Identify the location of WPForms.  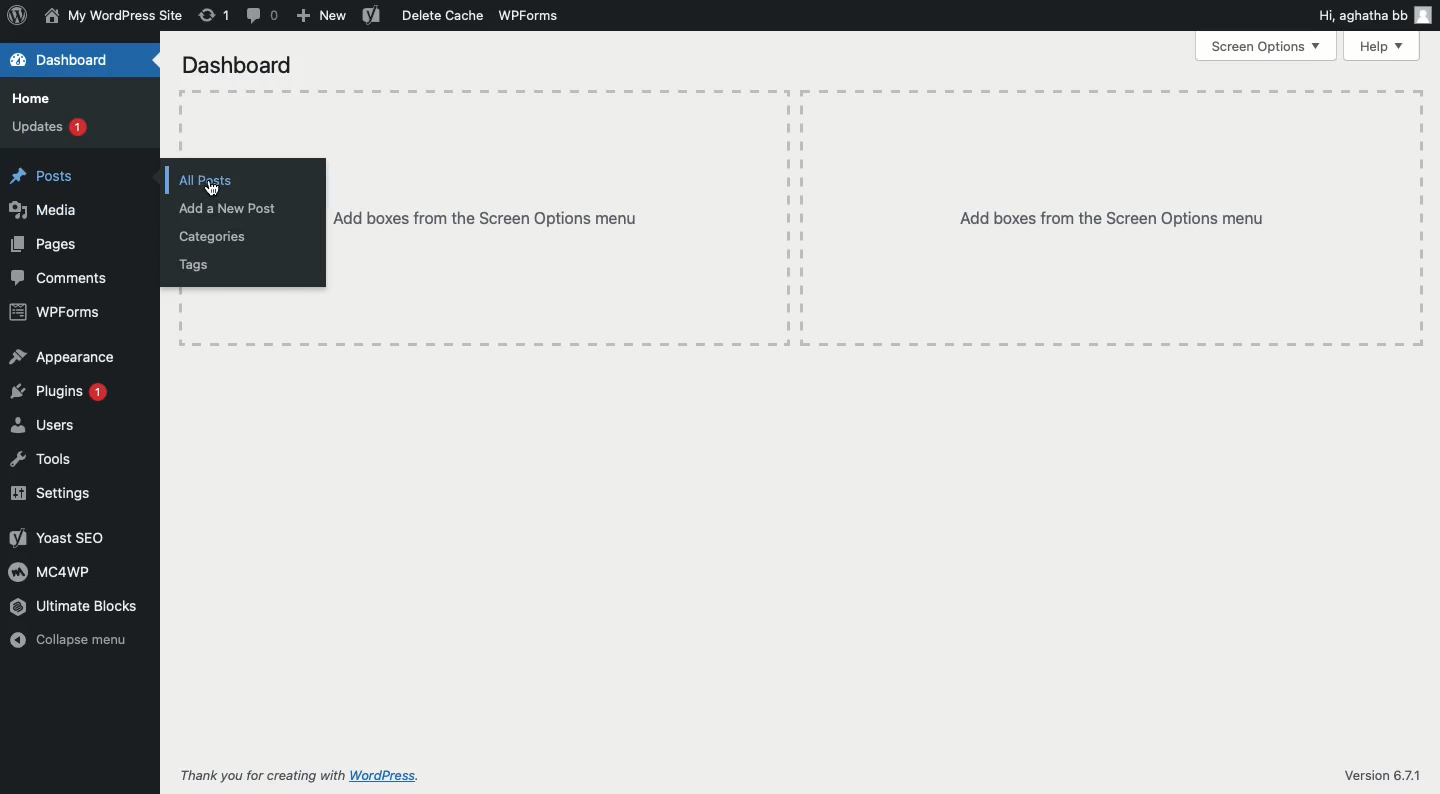
(54, 314).